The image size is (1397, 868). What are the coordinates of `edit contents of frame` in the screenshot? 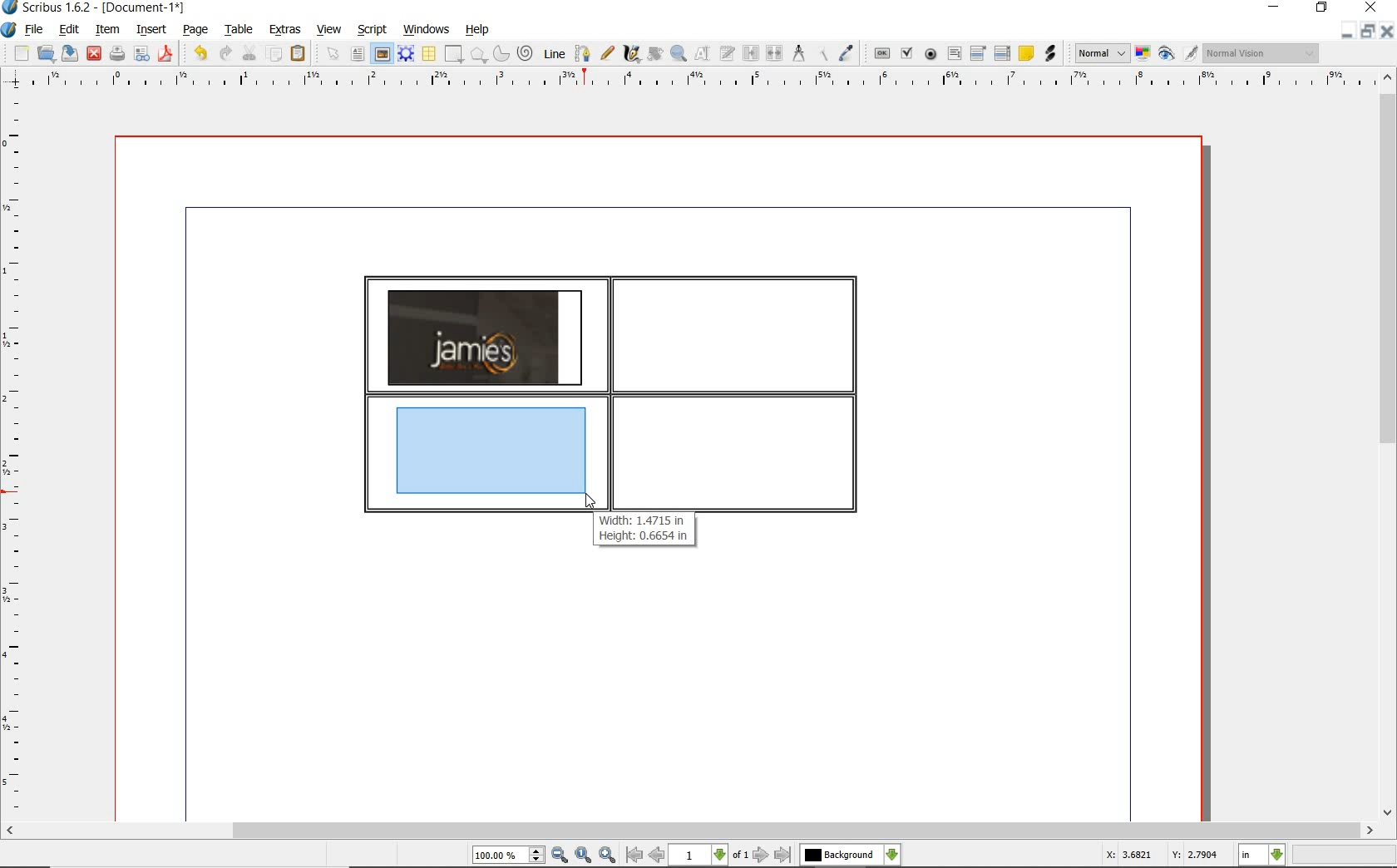 It's located at (703, 54).